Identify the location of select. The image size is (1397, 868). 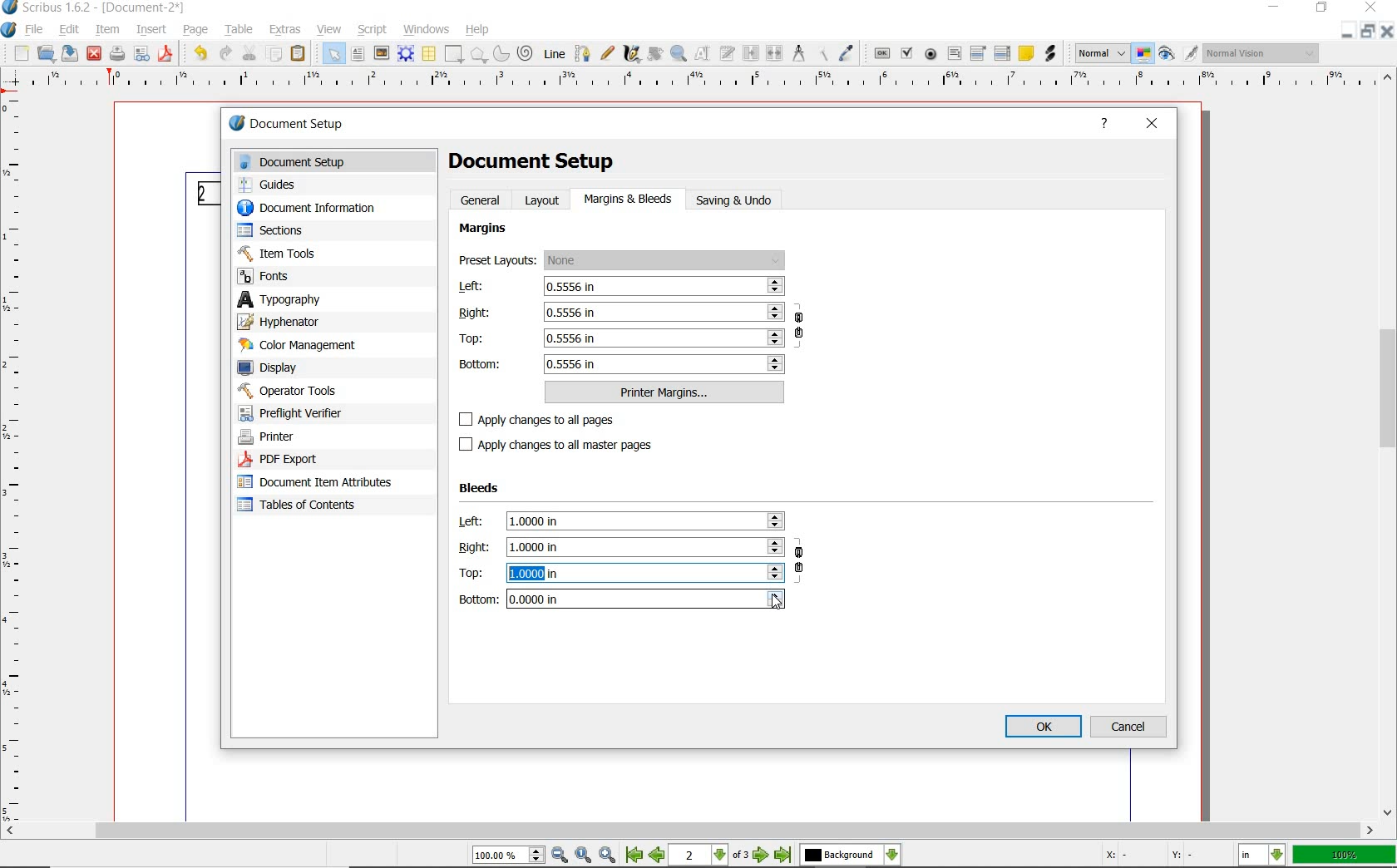
(334, 57).